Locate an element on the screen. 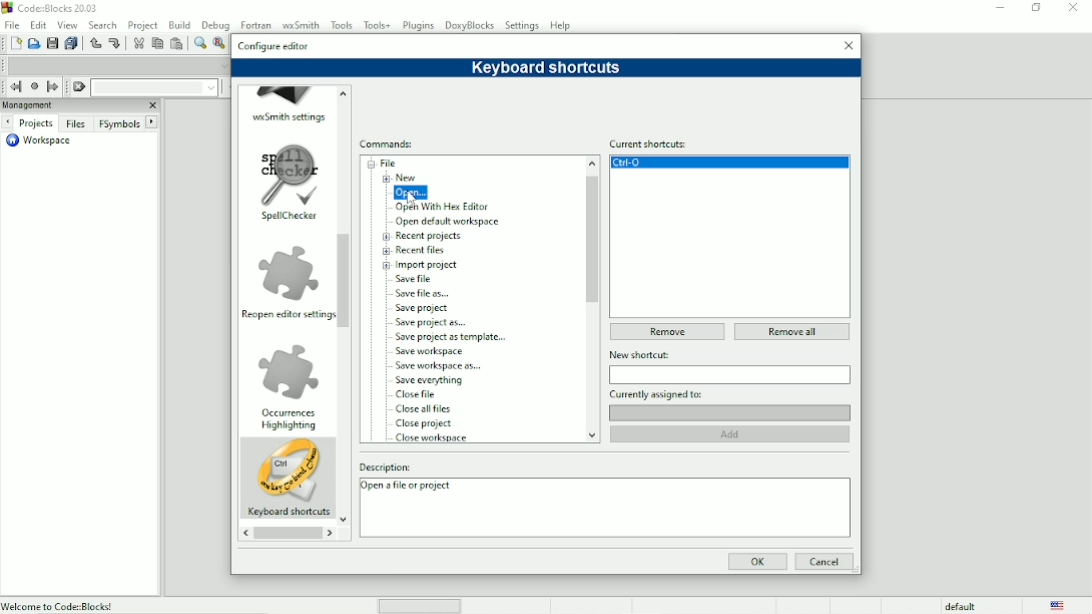 This screenshot has width=1092, height=614. Help is located at coordinates (562, 25).